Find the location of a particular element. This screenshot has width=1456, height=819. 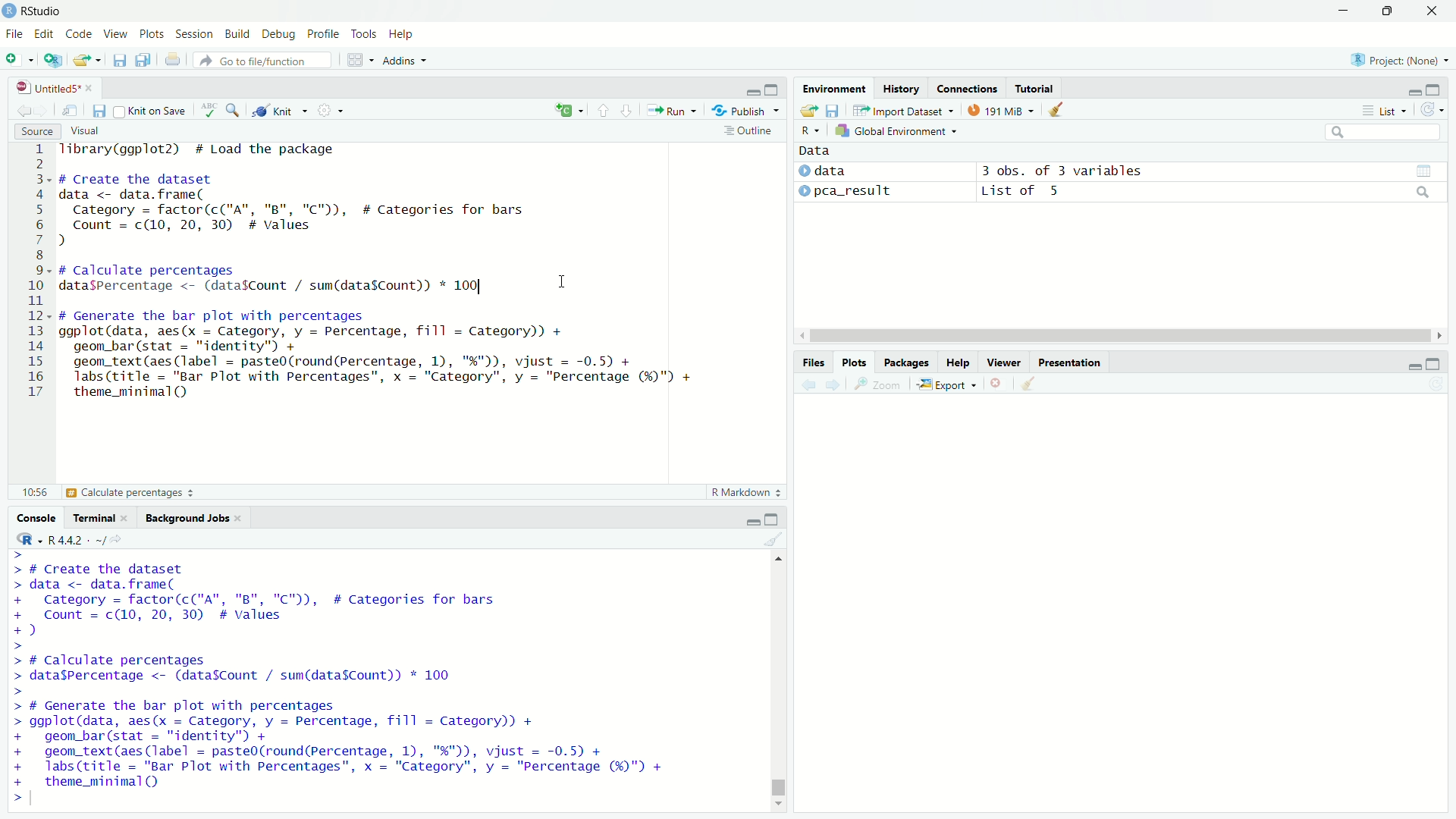

tools is located at coordinates (365, 35).